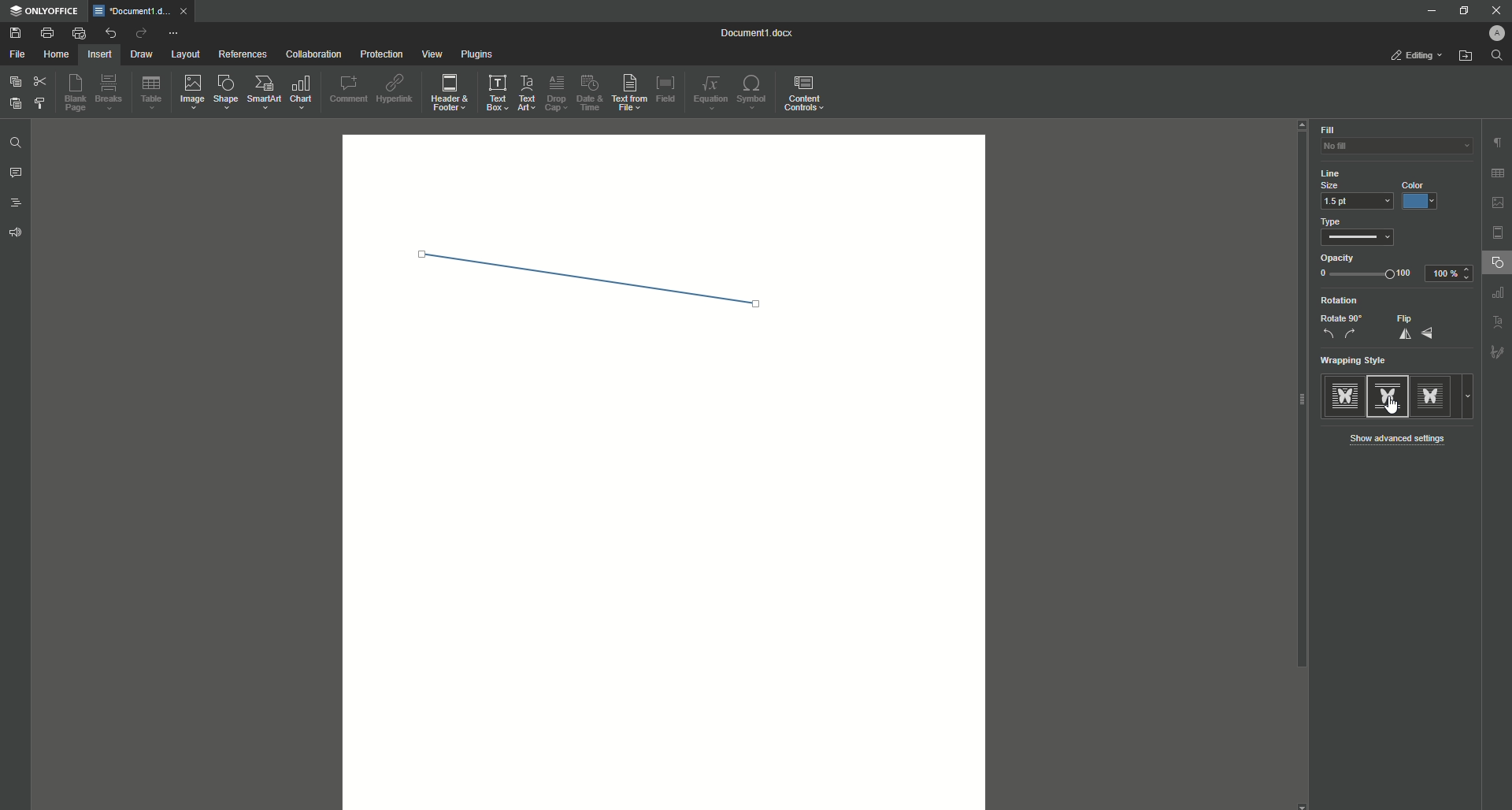 This screenshot has width=1512, height=810. I want to click on Restore, so click(1458, 11).